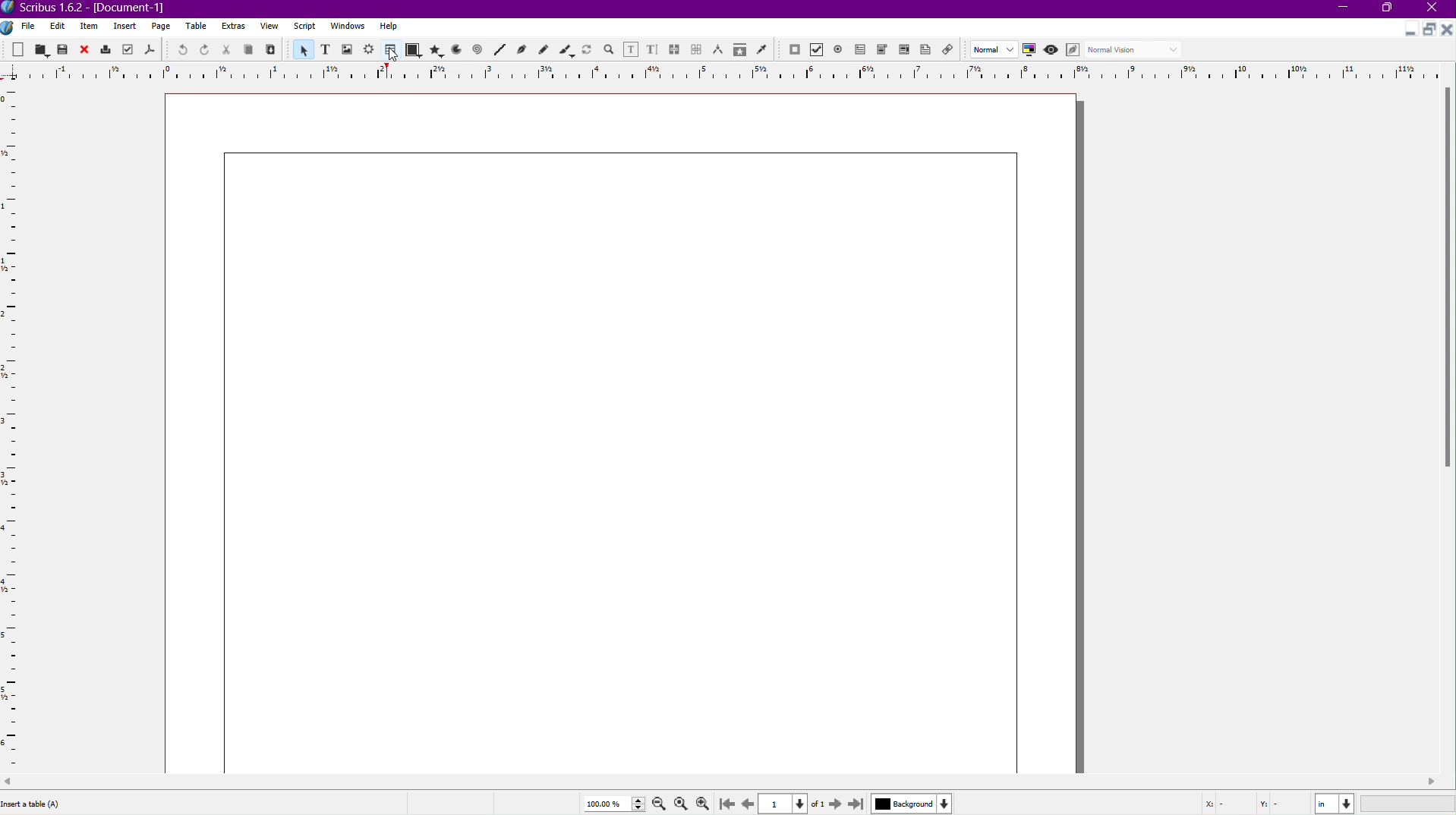  What do you see at coordinates (909, 803) in the screenshot?
I see `Background Color` at bounding box center [909, 803].